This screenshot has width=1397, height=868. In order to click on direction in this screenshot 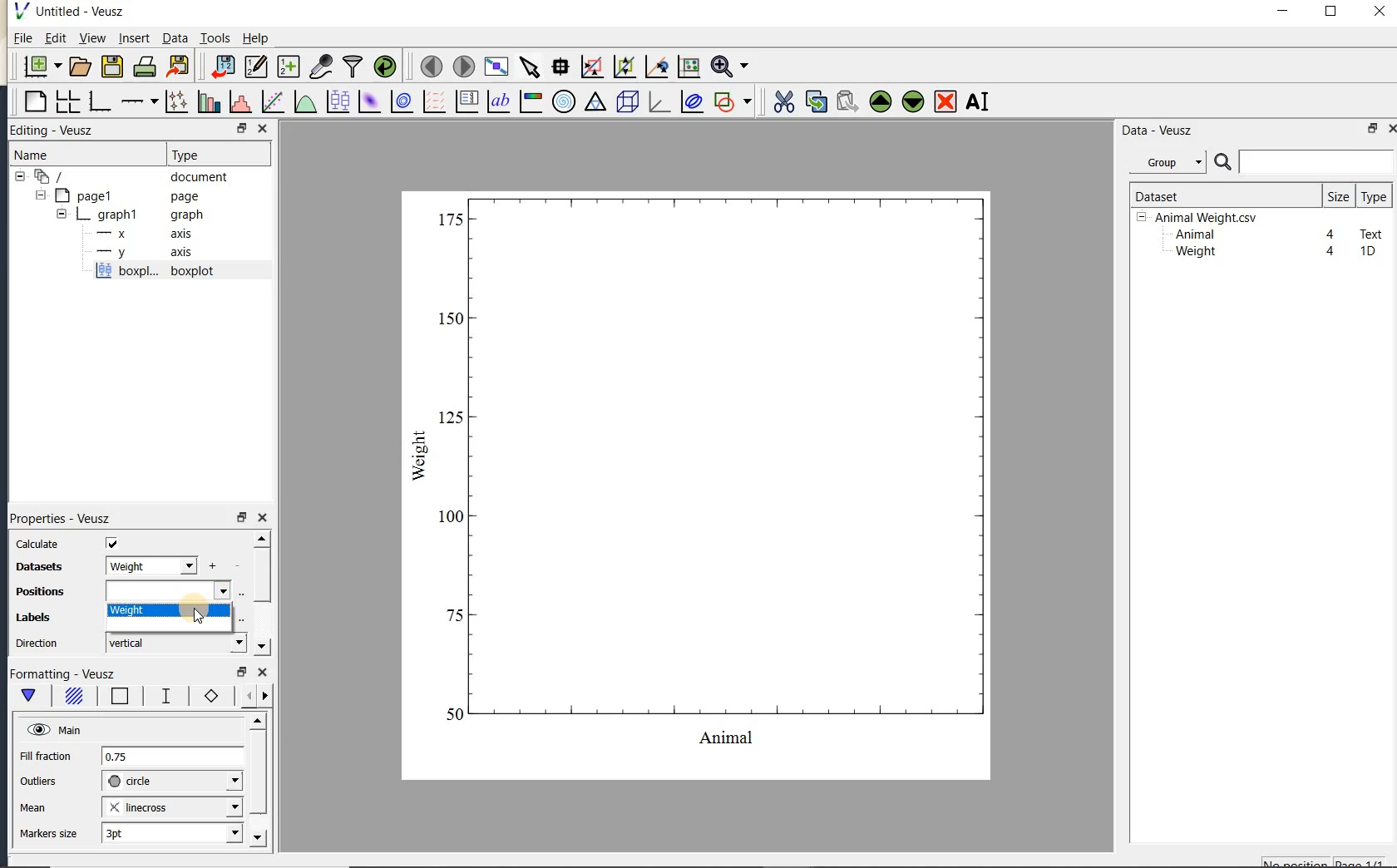, I will do `click(38, 643)`.